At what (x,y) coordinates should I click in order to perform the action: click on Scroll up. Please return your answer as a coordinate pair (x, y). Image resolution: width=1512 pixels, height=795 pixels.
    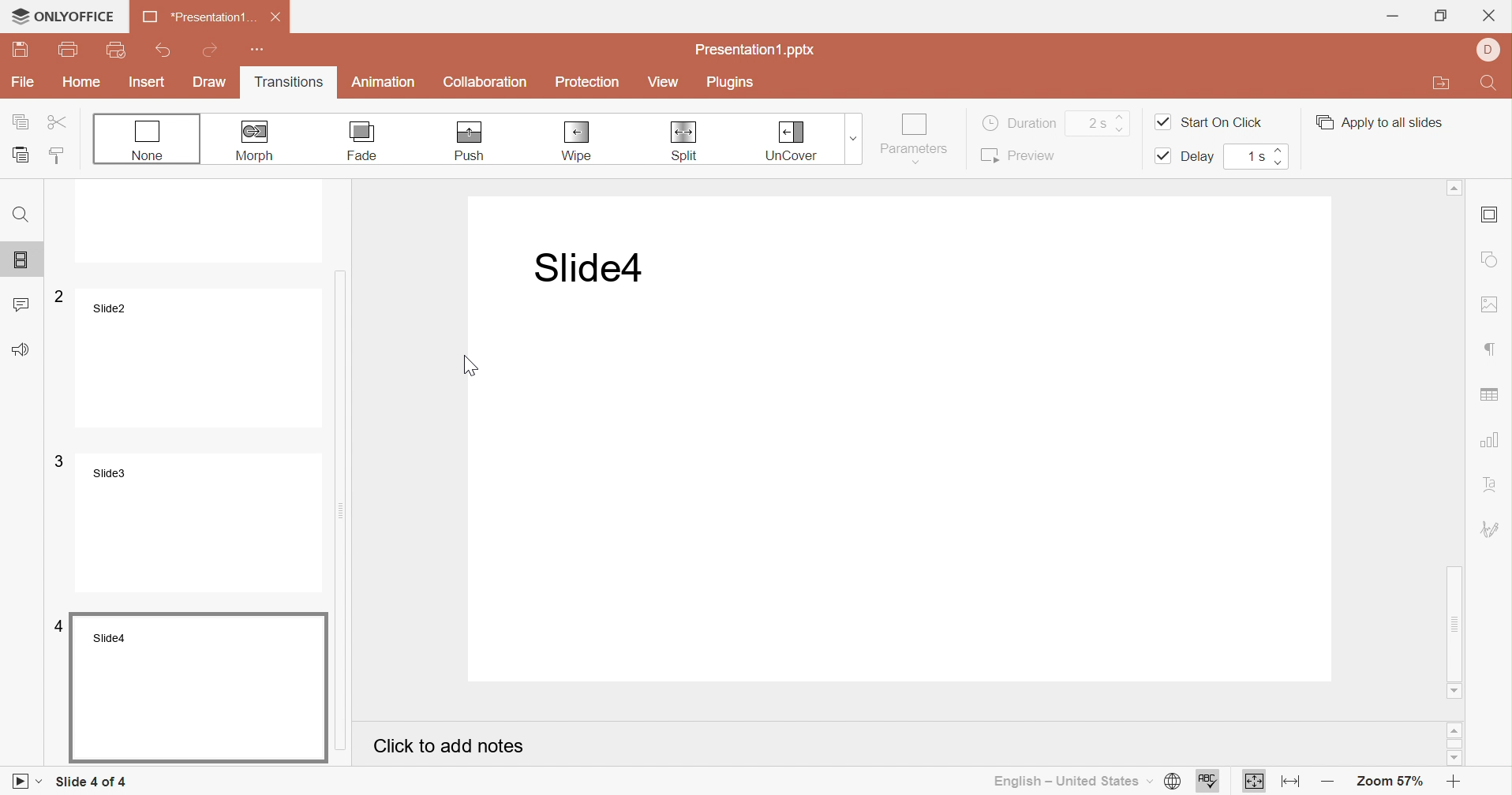
    Looking at the image, I should click on (1454, 733).